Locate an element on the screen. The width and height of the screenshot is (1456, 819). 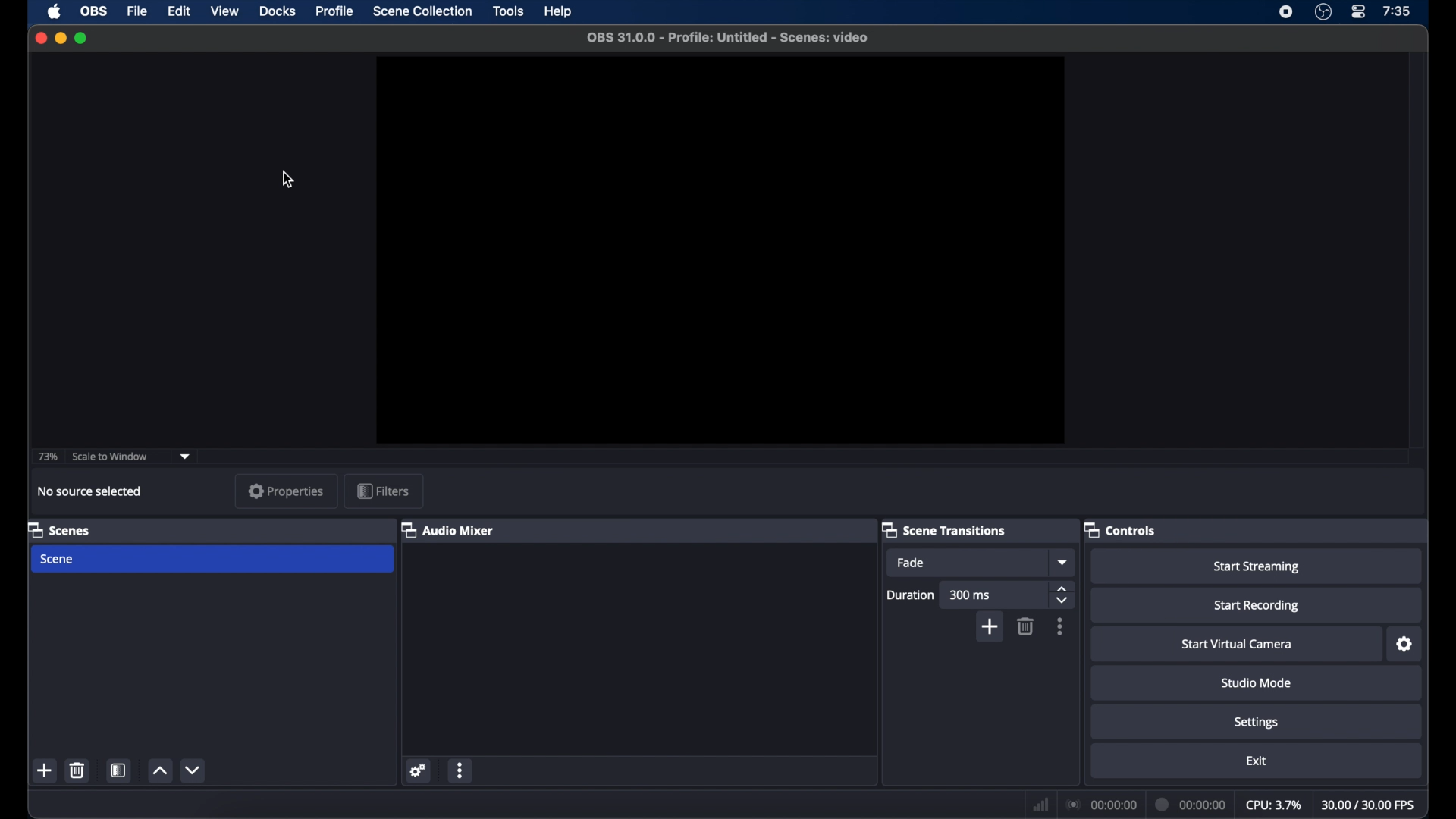
exit is located at coordinates (1256, 761).